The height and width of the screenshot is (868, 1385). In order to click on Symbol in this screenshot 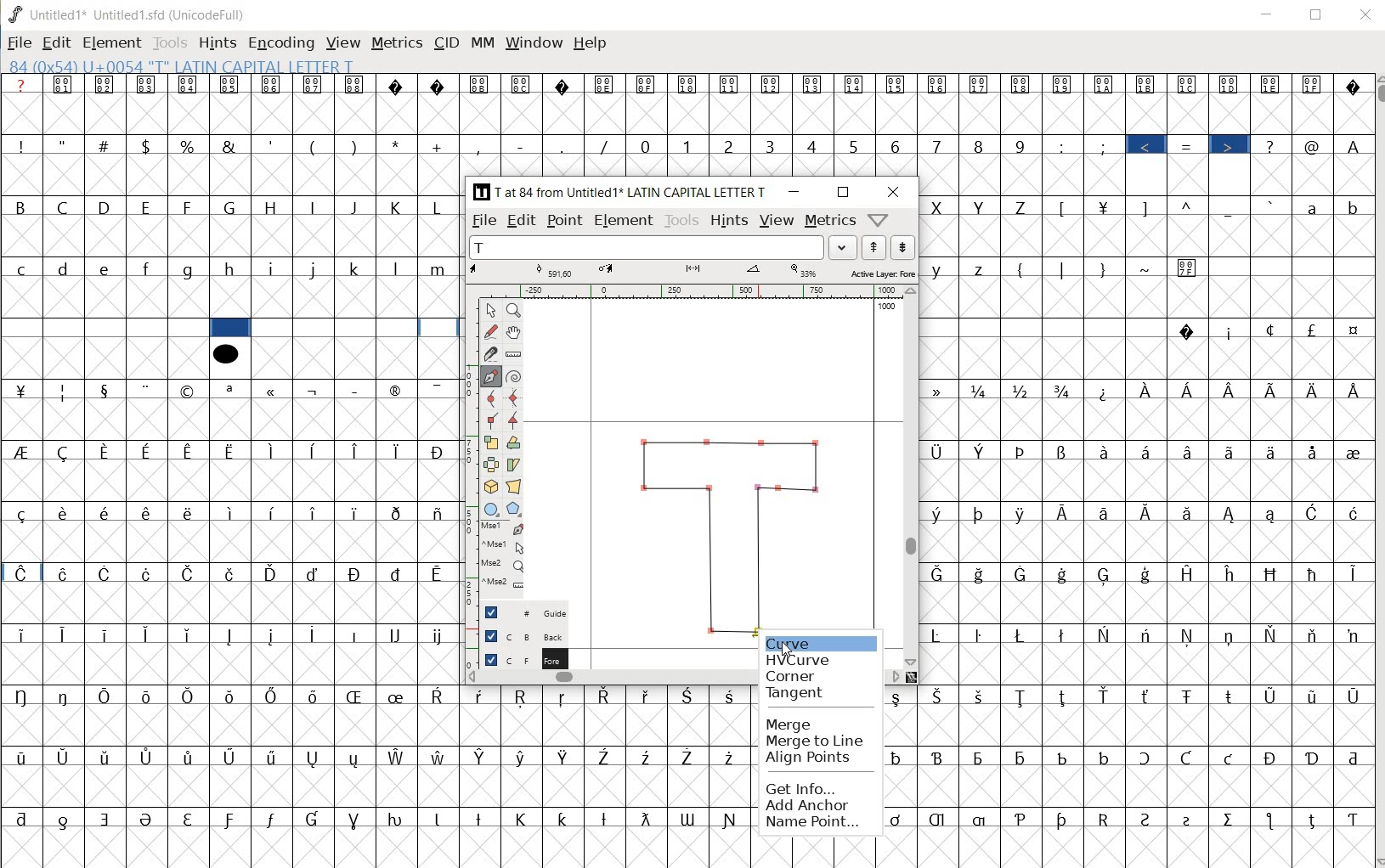, I will do `click(732, 695)`.